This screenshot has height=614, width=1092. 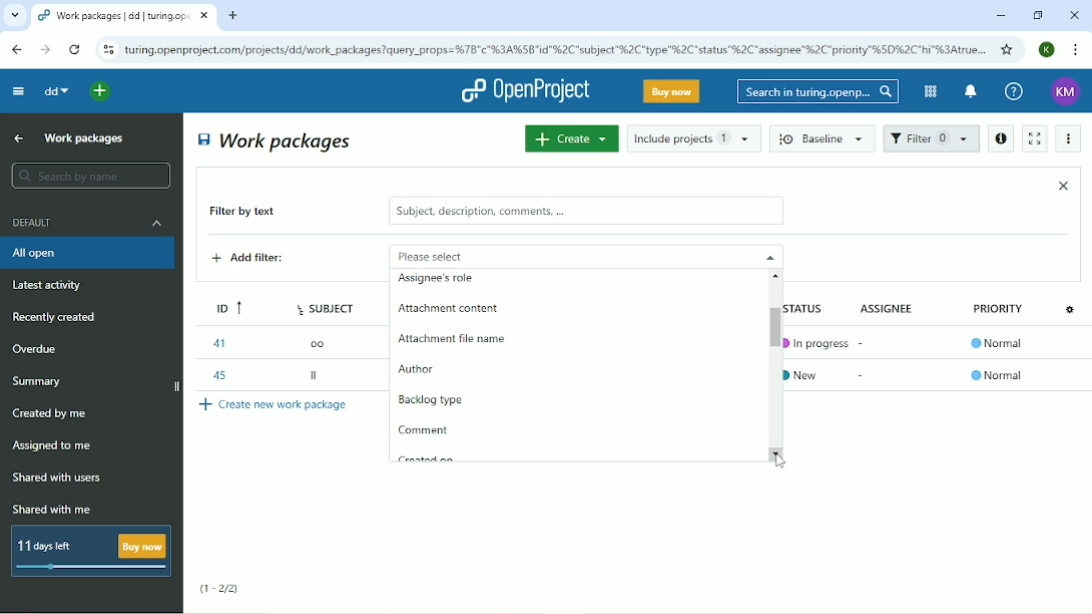 What do you see at coordinates (441, 403) in the screenshot?
I see `Backlog type` at bounding box center [441, 403].